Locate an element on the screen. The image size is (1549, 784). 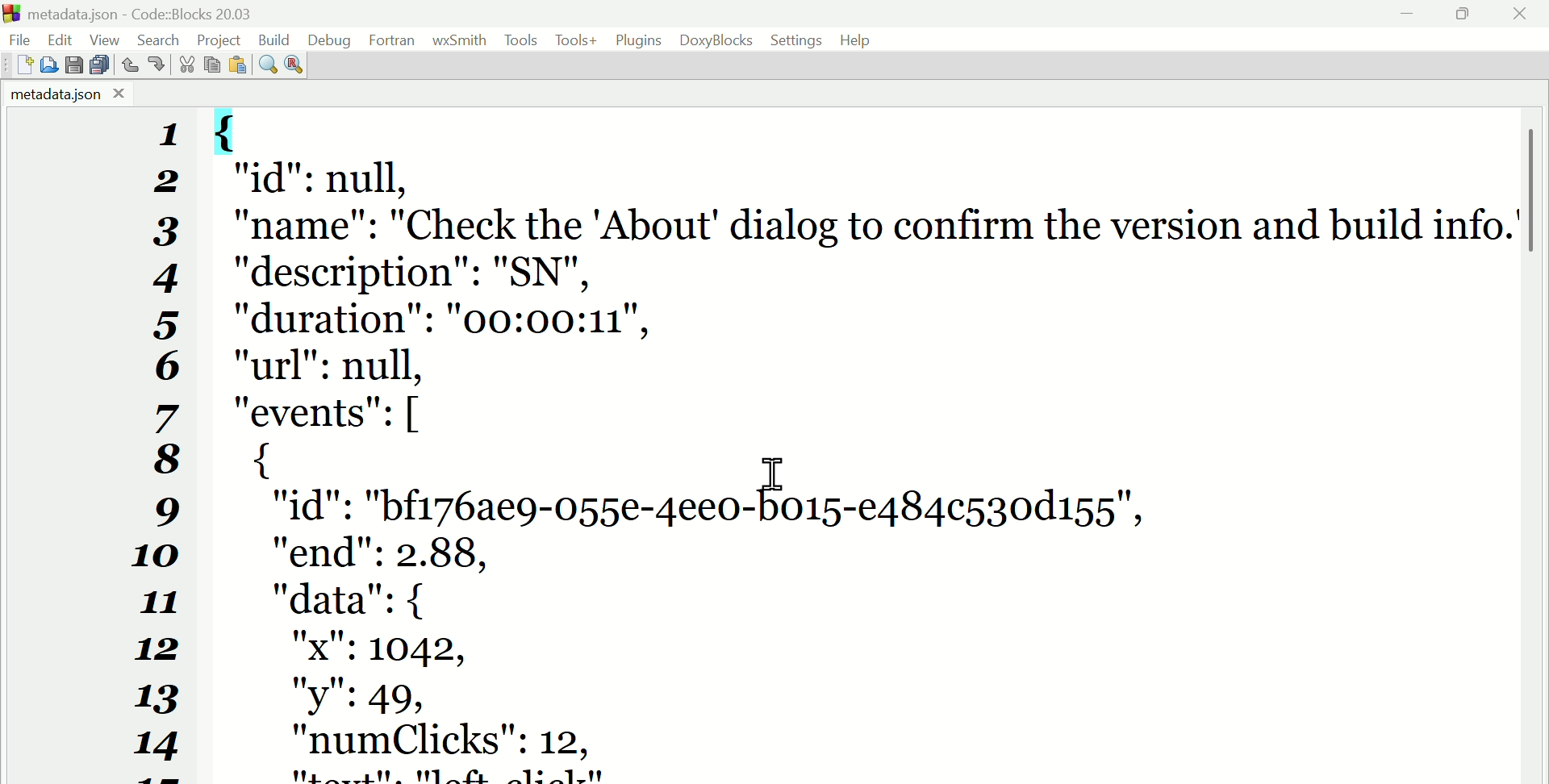
Plugins is located at coordinates (640, 40).